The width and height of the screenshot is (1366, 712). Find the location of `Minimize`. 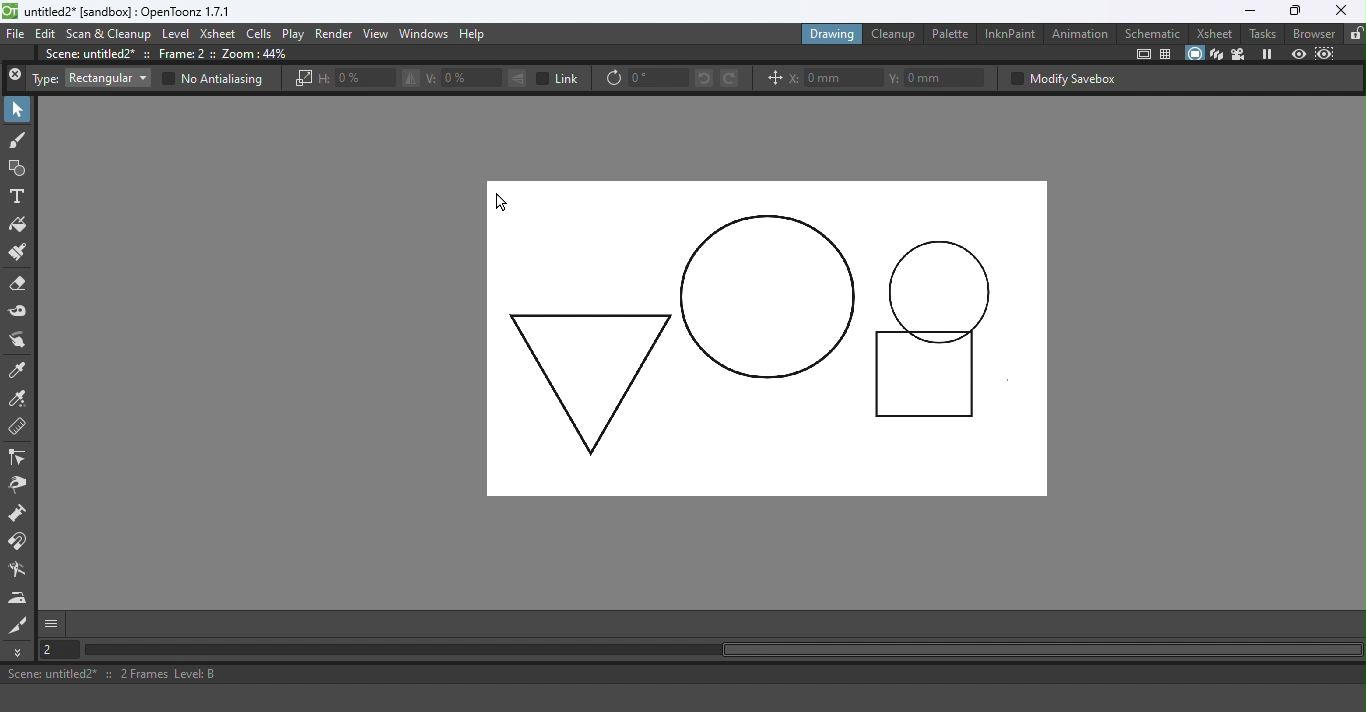

Minimize is located at coordinates (1243, 11).